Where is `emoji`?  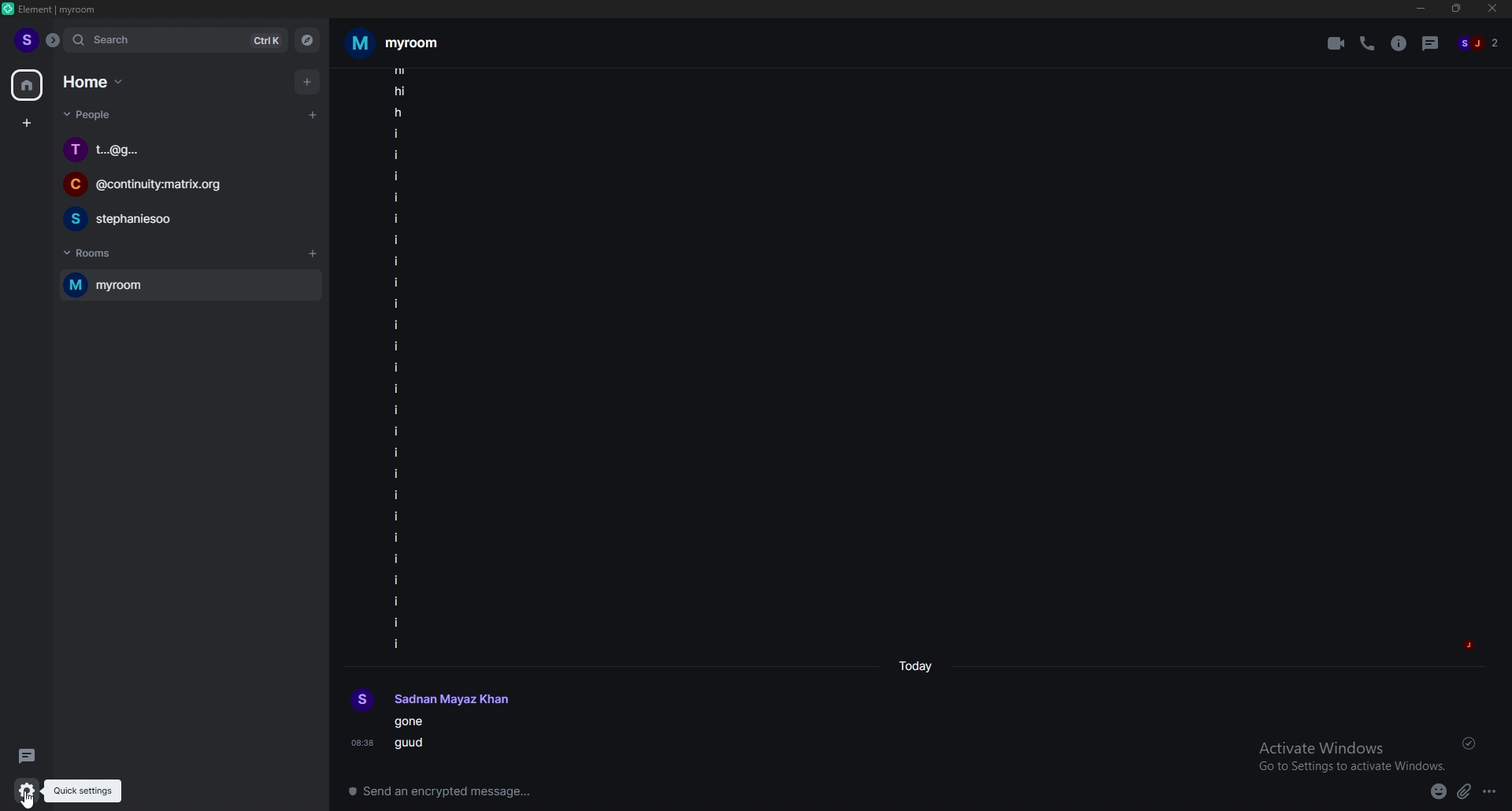
emoji is located at coordinates (1434, 791).